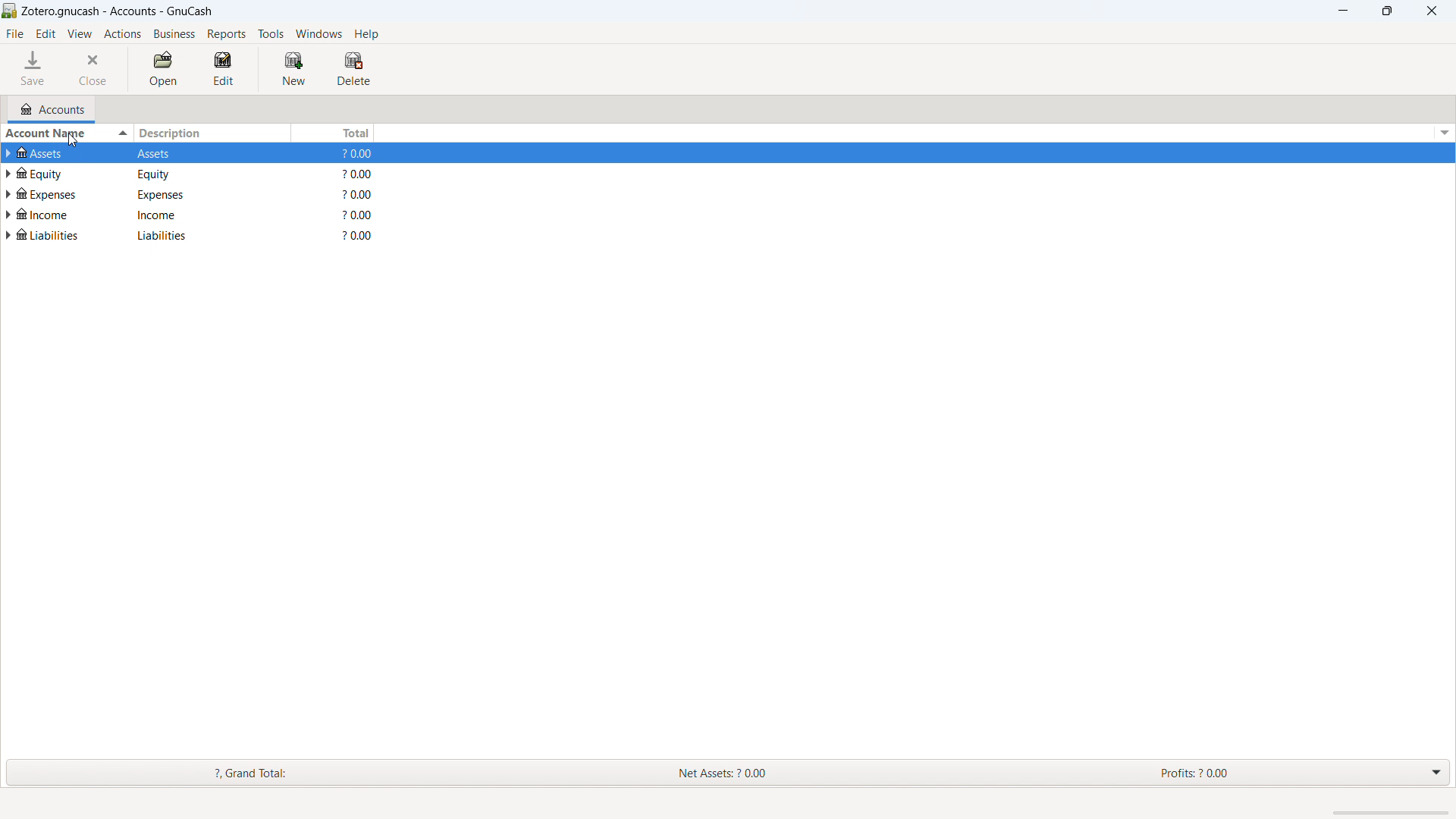  Describe the element at coordinates (206, 216) in the screenshot. I see `account details of income` at that location.